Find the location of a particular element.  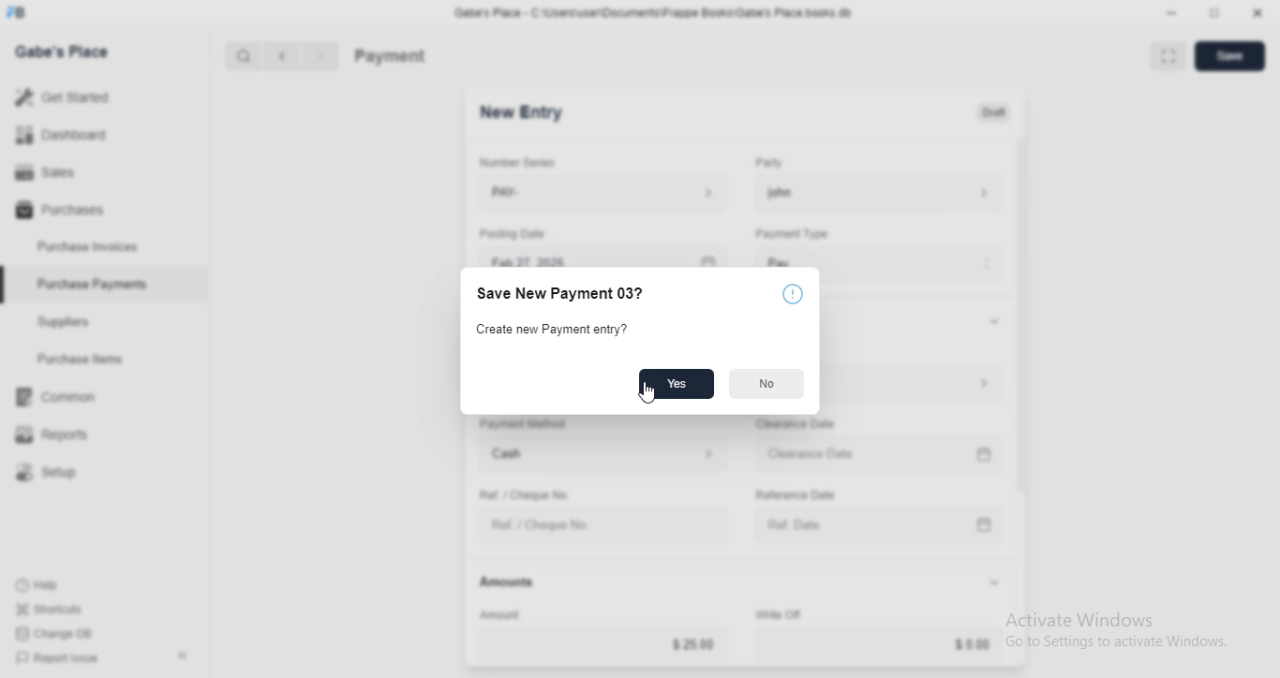

Notice is located at coordinates (792, 293).